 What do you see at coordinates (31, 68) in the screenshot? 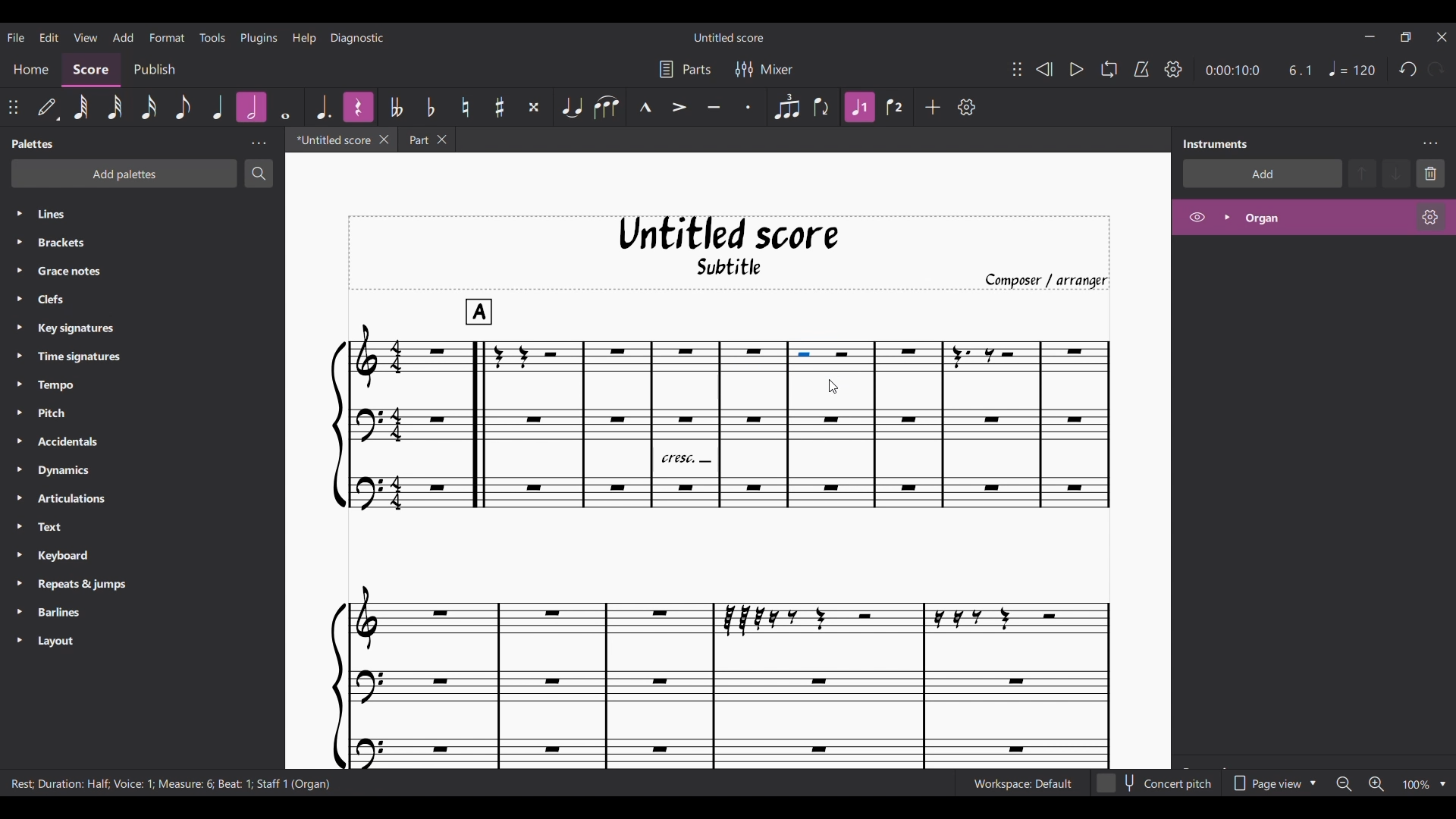
I see `Home section` at bounding box center [31, 68].